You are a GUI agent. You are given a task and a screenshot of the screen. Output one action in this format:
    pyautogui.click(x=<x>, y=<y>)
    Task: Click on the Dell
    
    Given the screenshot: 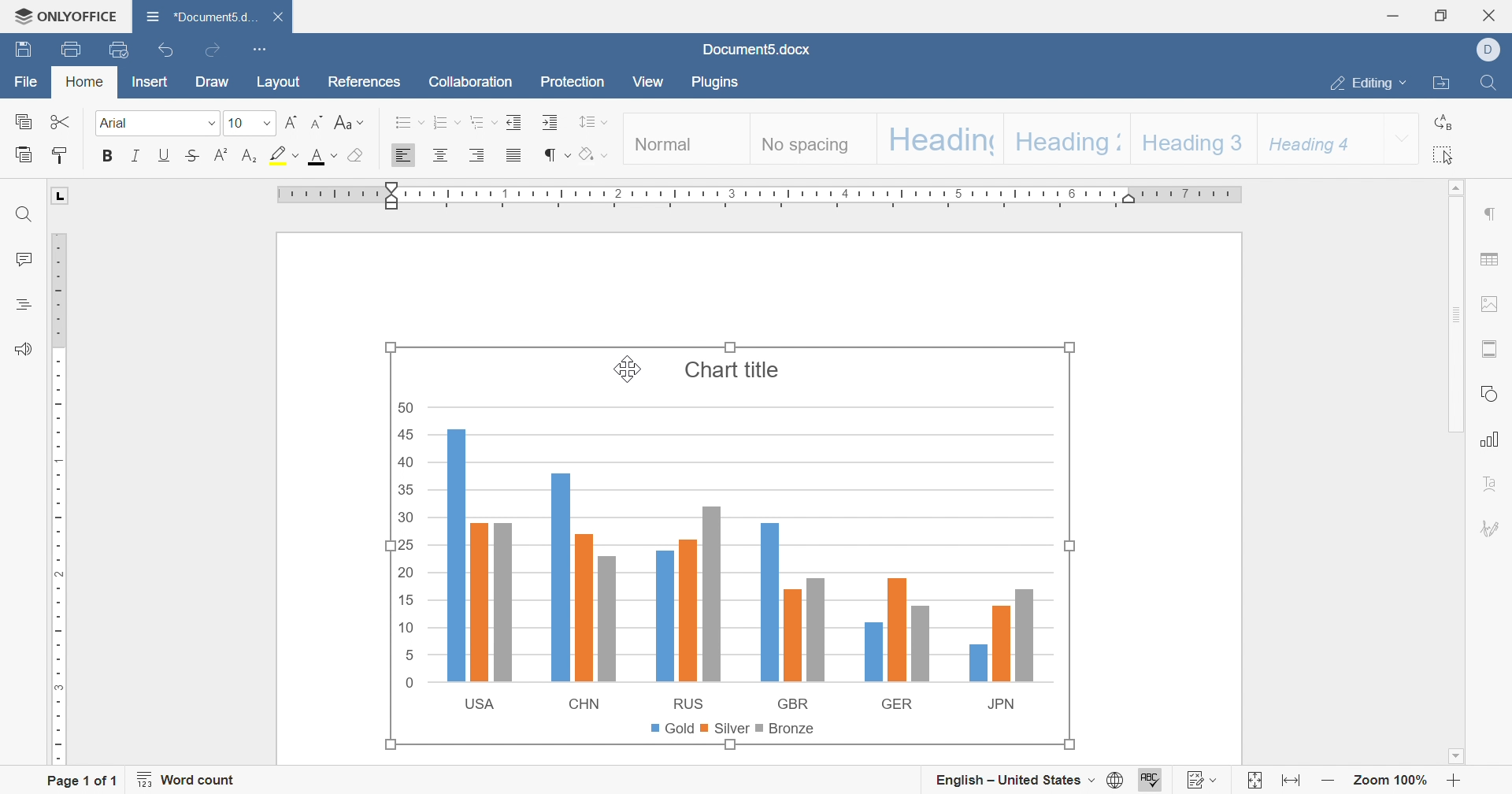 What is the action you would take?
    pyautogui.click(x=1491, y=49)
    